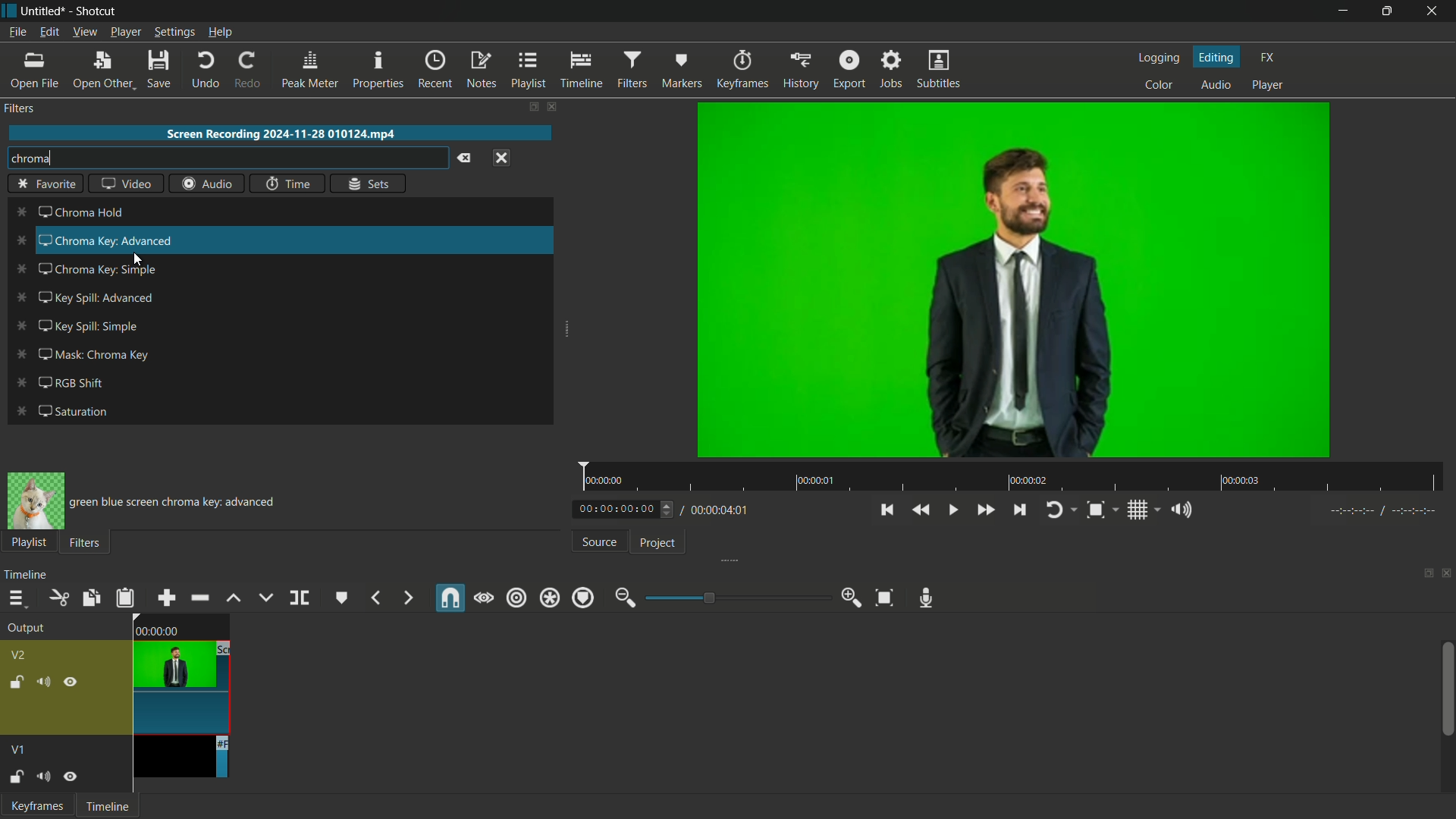 The height and width of the screenshot is (819, 1456). Describe the element at coordinates (25, 575) in the screenshot. I see `timeline` at that location.